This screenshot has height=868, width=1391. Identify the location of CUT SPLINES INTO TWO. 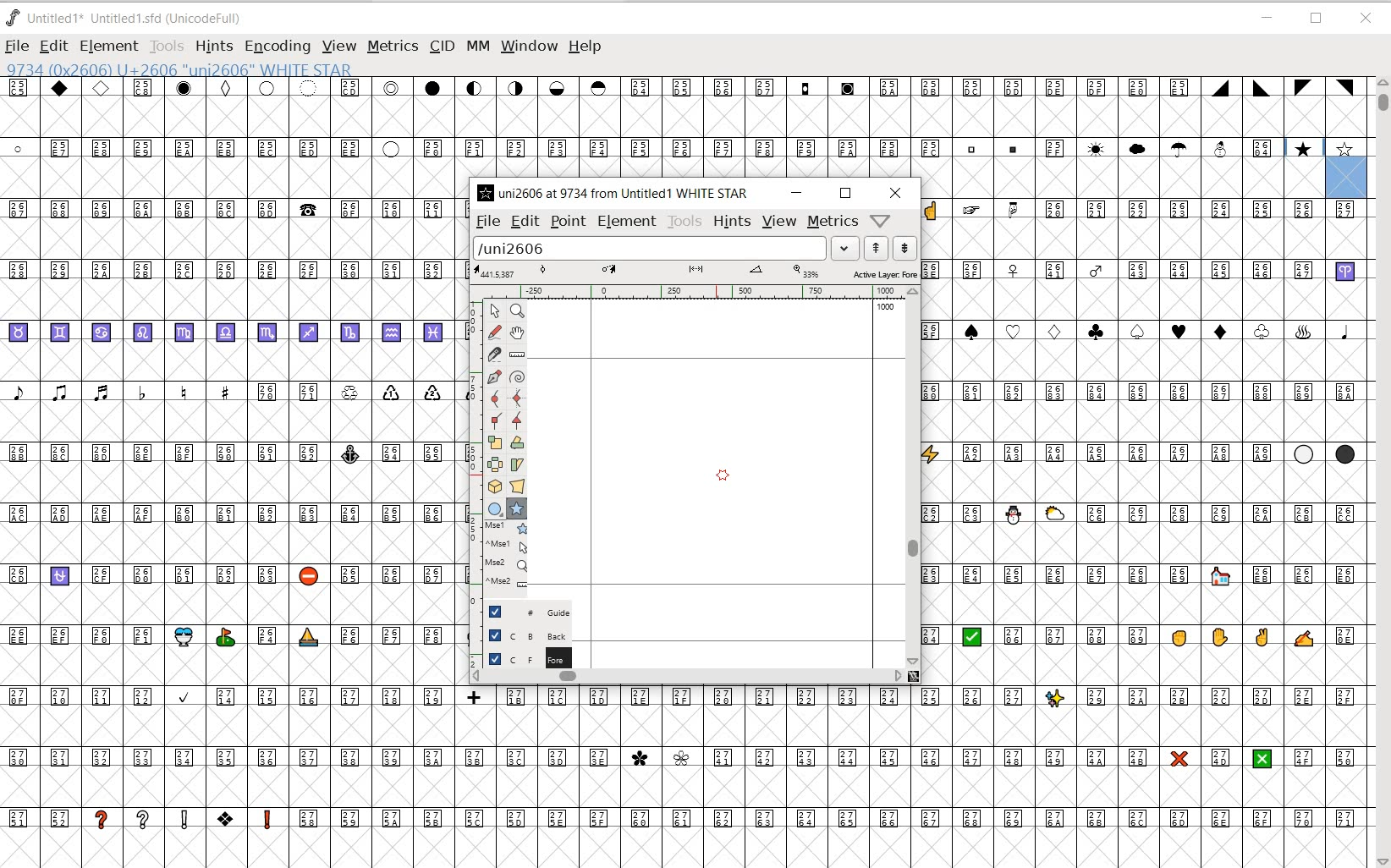
(495, 354).